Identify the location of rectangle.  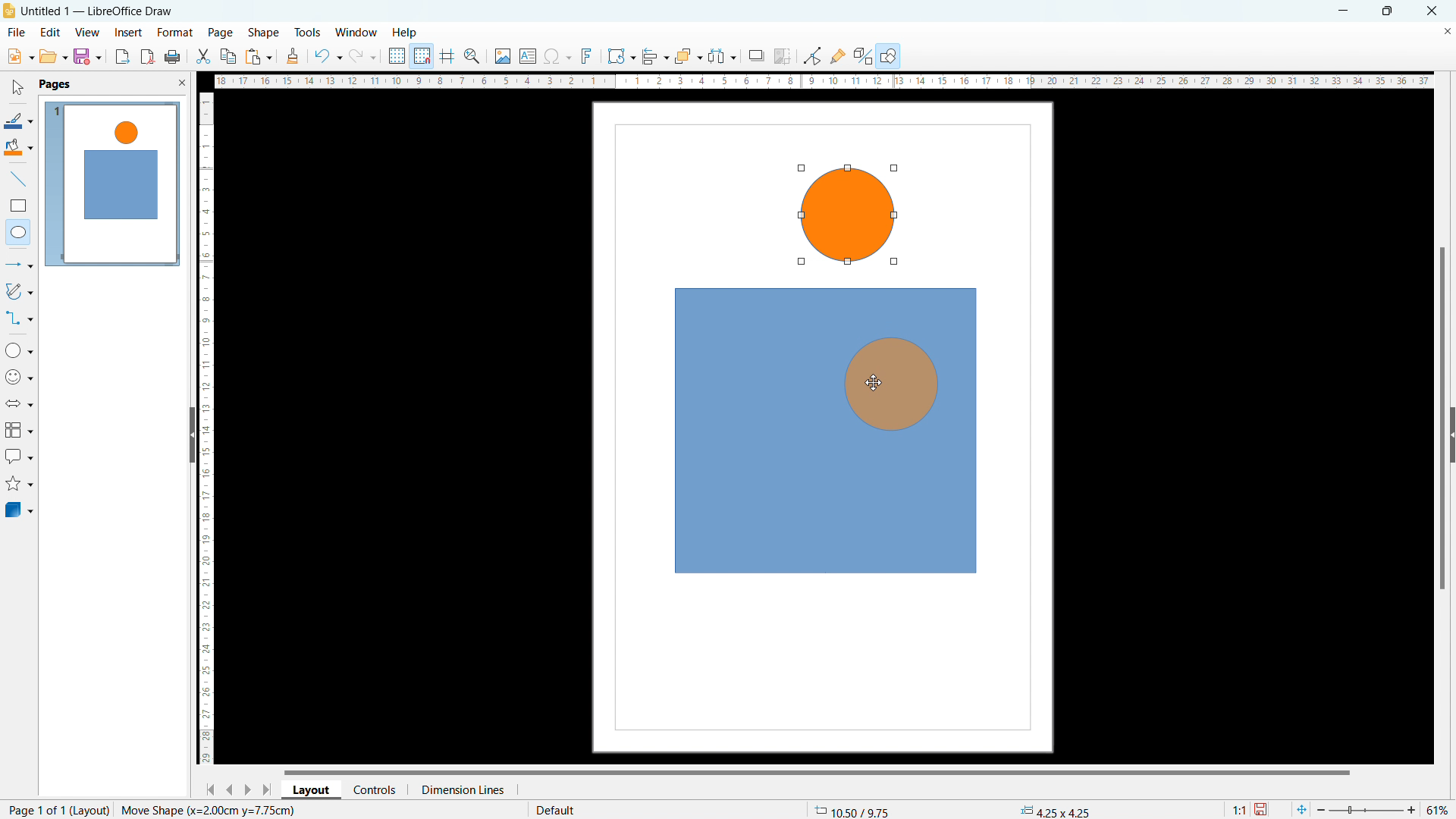
(18, 206).